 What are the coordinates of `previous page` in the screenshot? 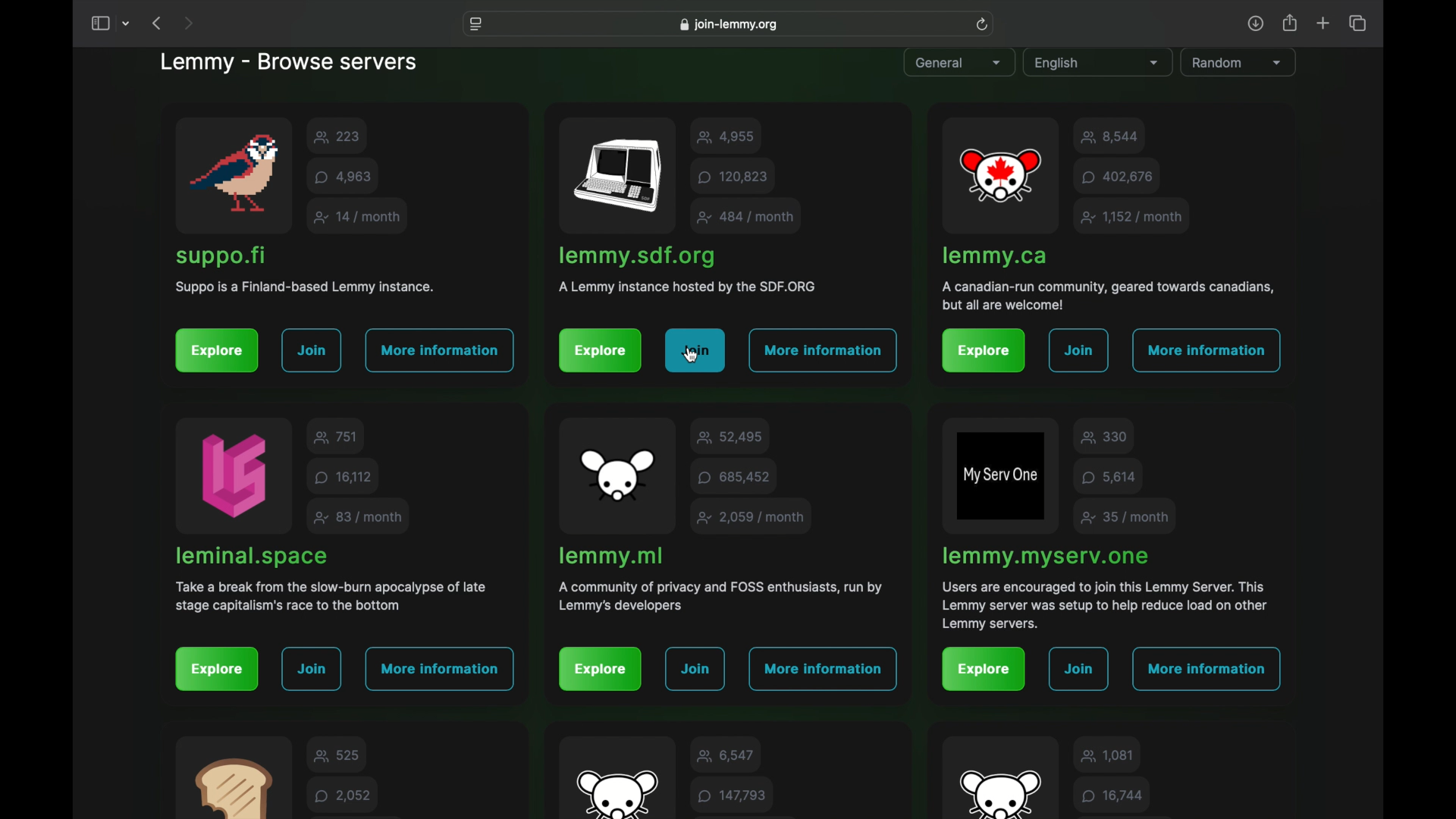 It's located at (156, 23).